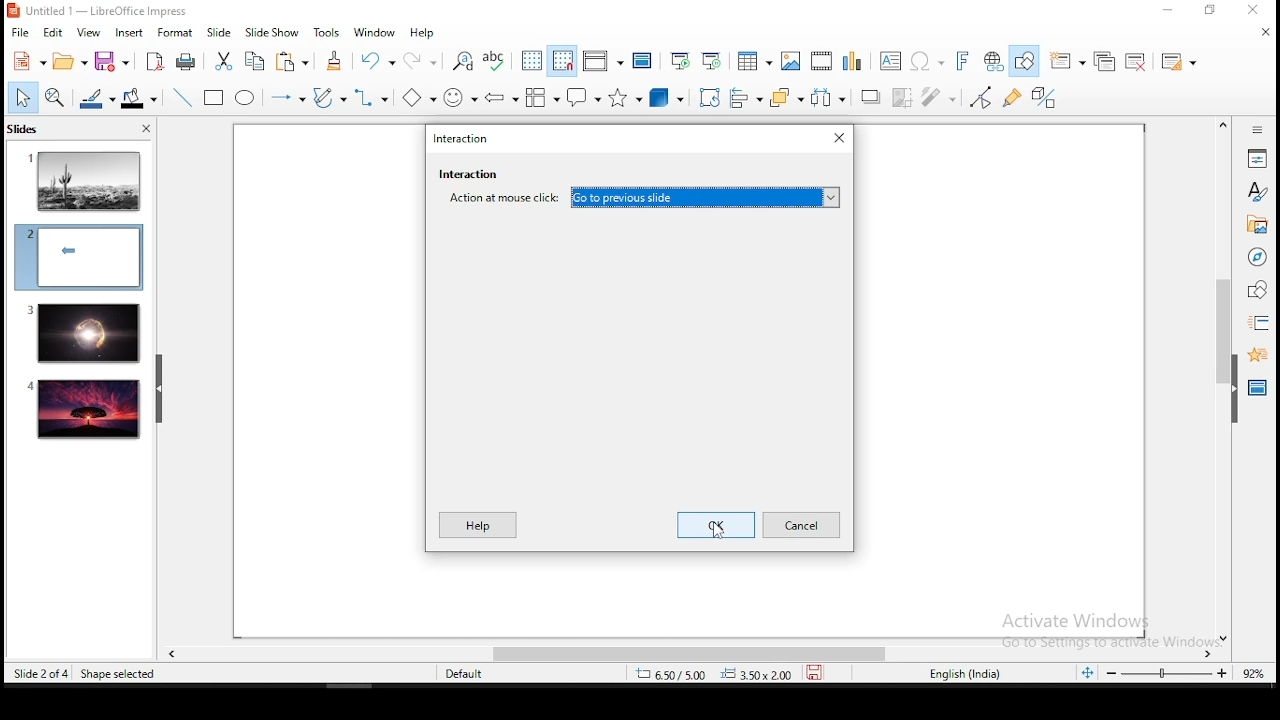  Describe the element at coordinates (1099, 624) in the screenshot. I see `` at that location.